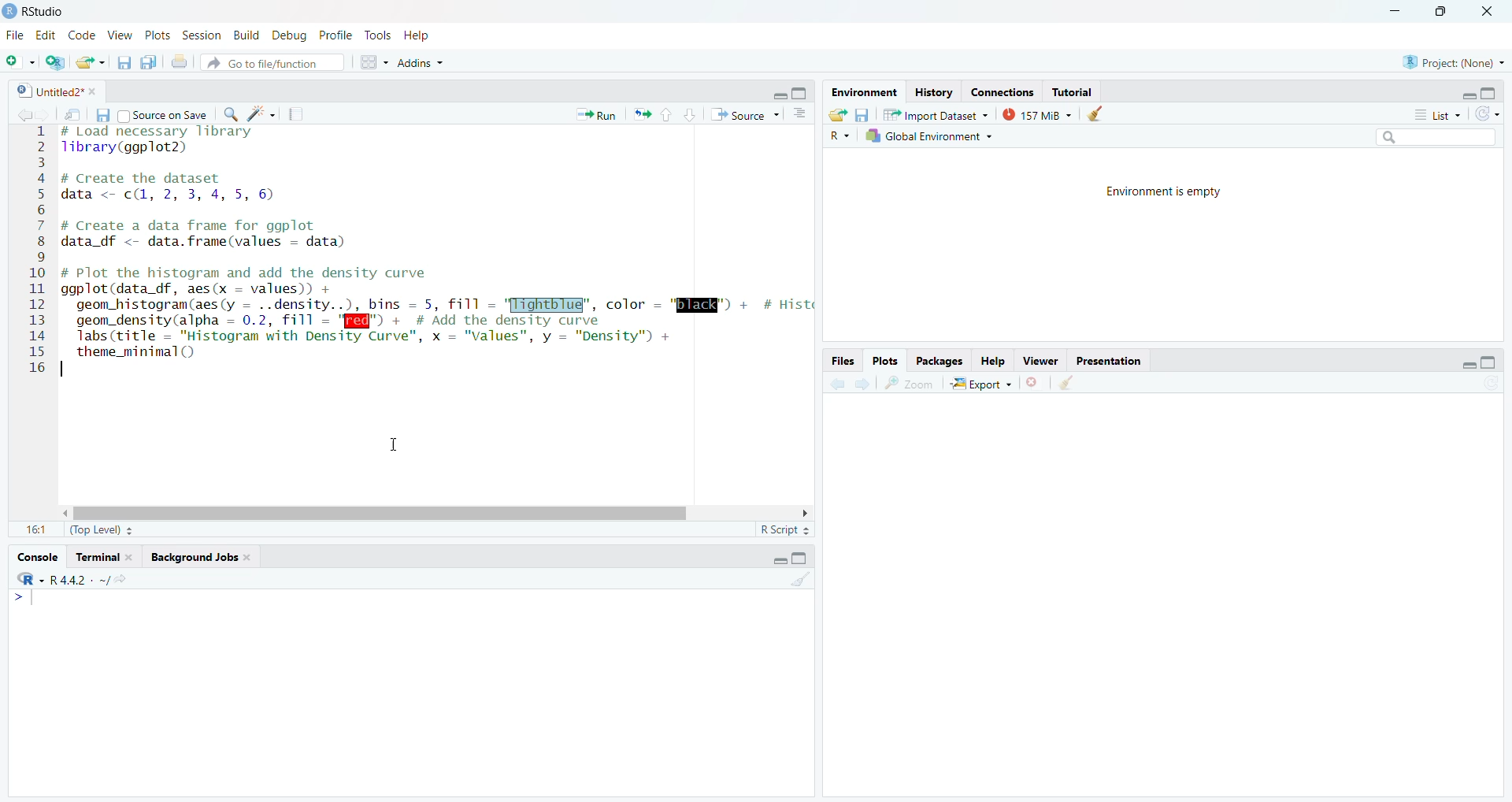 Image resolution: width=1512 pixels, height=802 pixels. What do you see at coordinates (261, 113) in the screenshot?
I see `code tools` at bounding box center [261, 113].